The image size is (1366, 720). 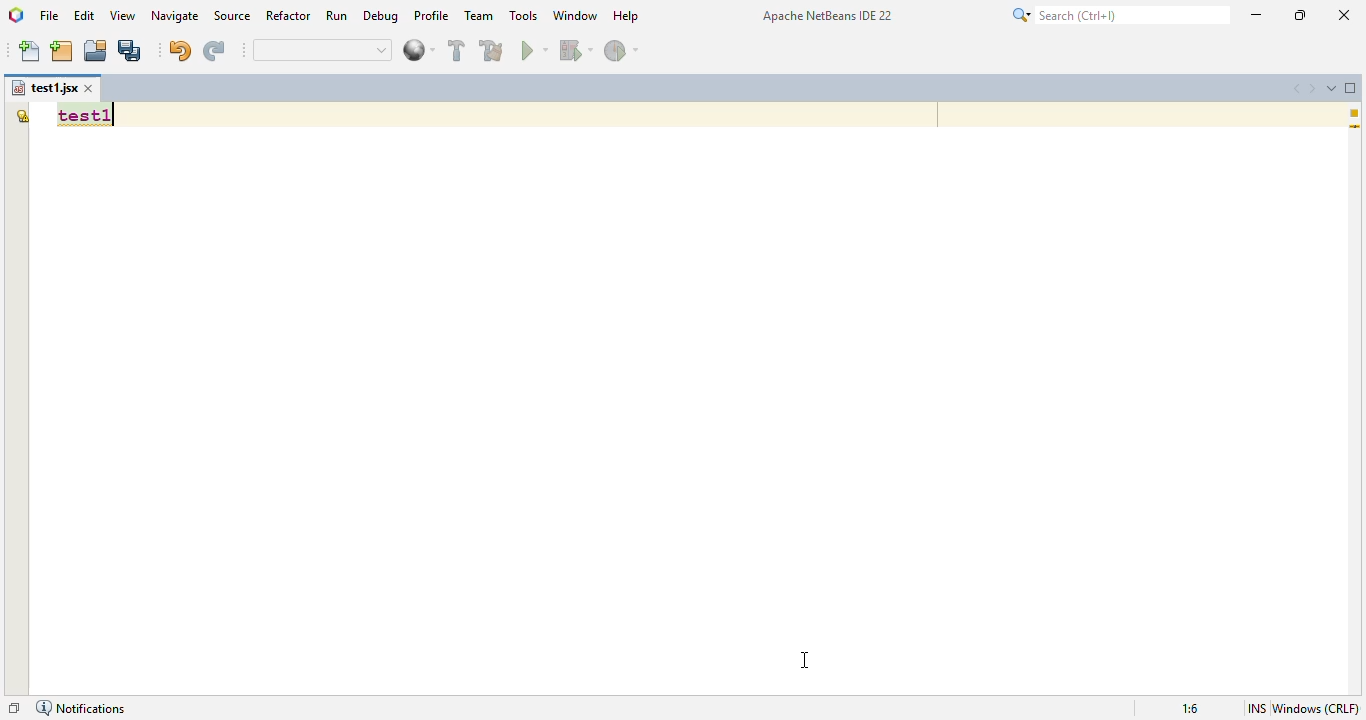 What do you see at coordinates (1301, 15) in the screenshot?
I see `maximize` at bounding box center [1301, 15].